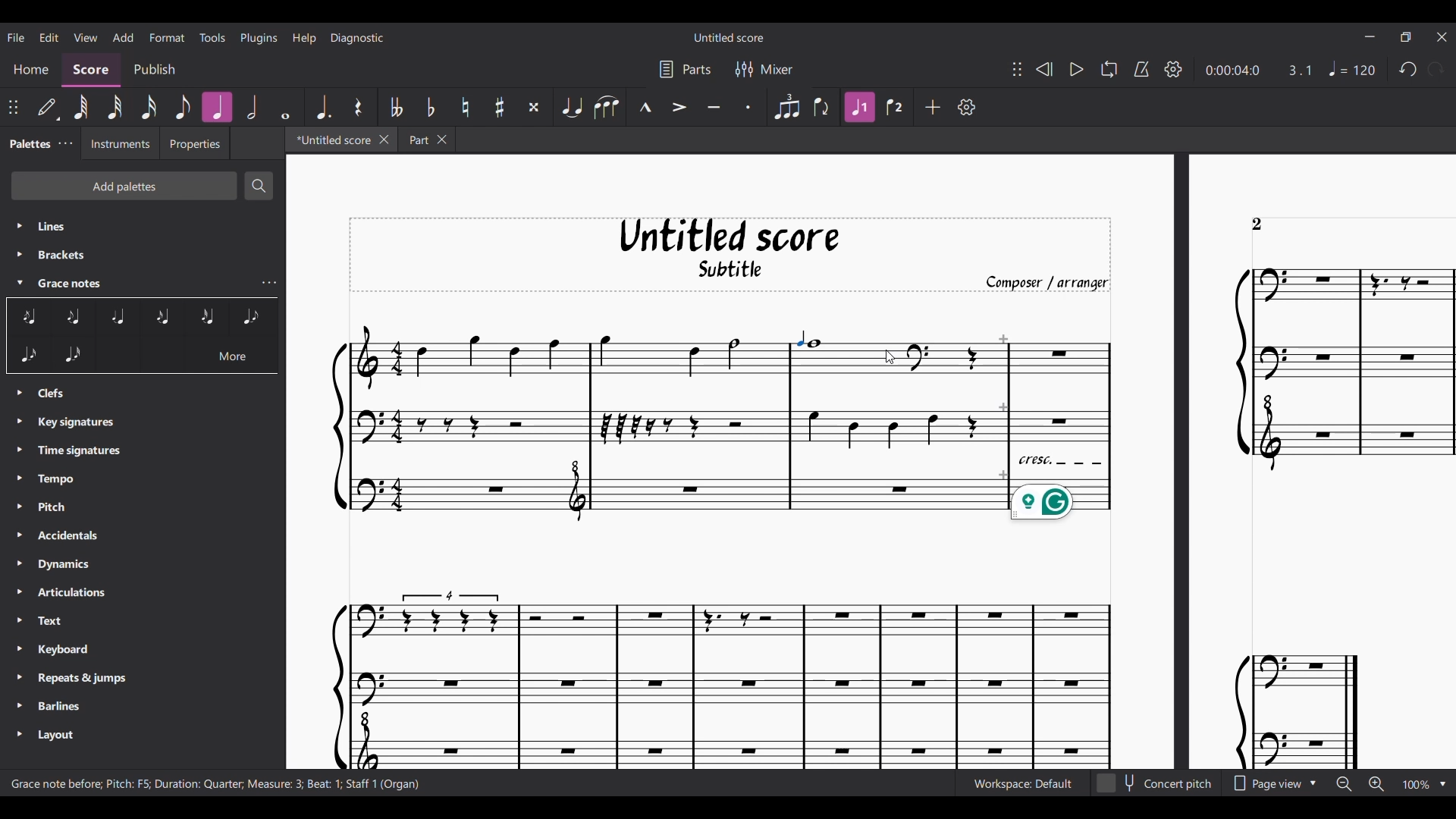 This screenshot has height=819, width=1456. Describe the element at coordinates (28, 143) in the screenshot. I see `Palette, current tab` at that location.